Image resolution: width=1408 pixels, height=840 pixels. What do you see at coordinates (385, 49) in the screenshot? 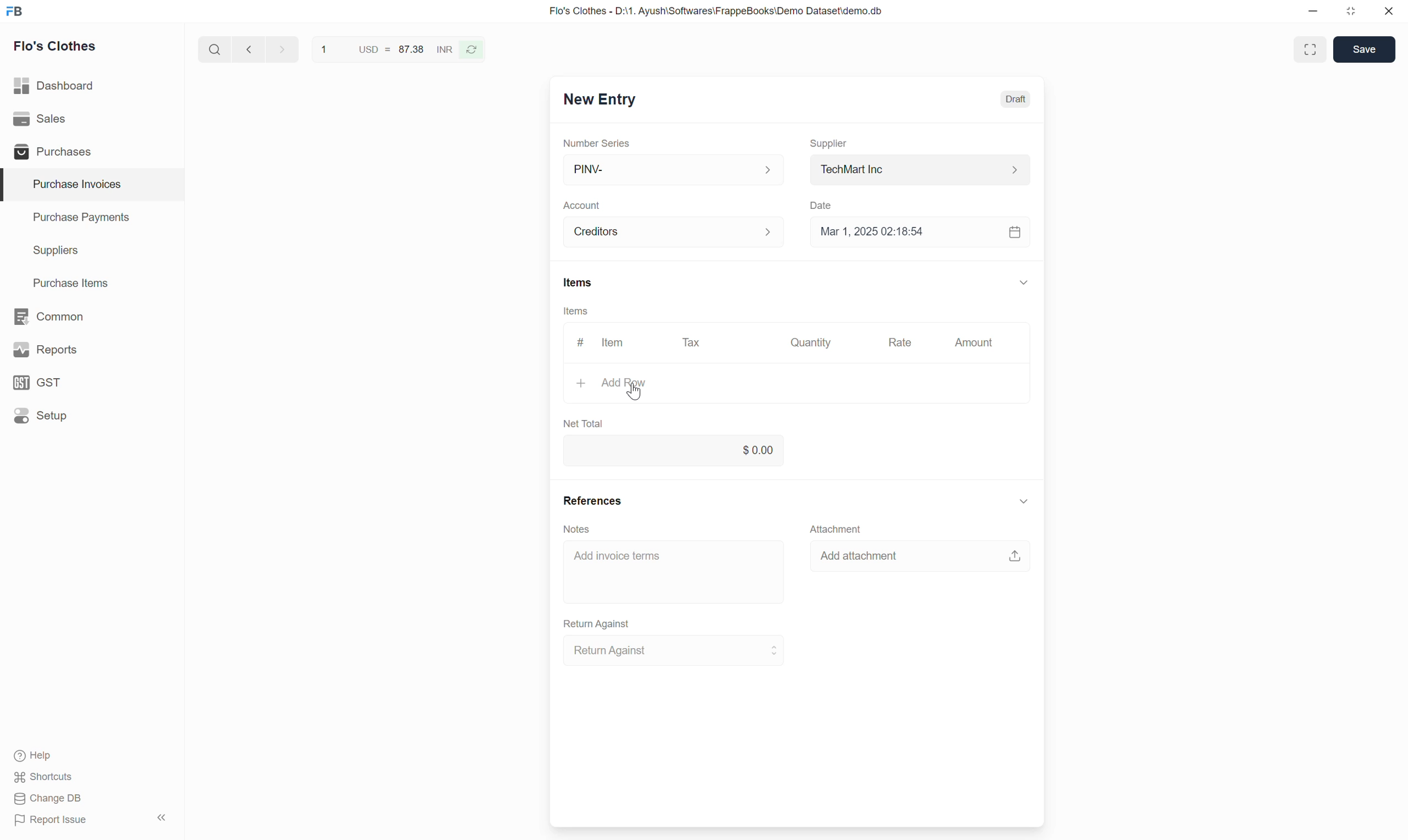
I see `1 USD = 87.38 INR` at bounding box center [385, 49].